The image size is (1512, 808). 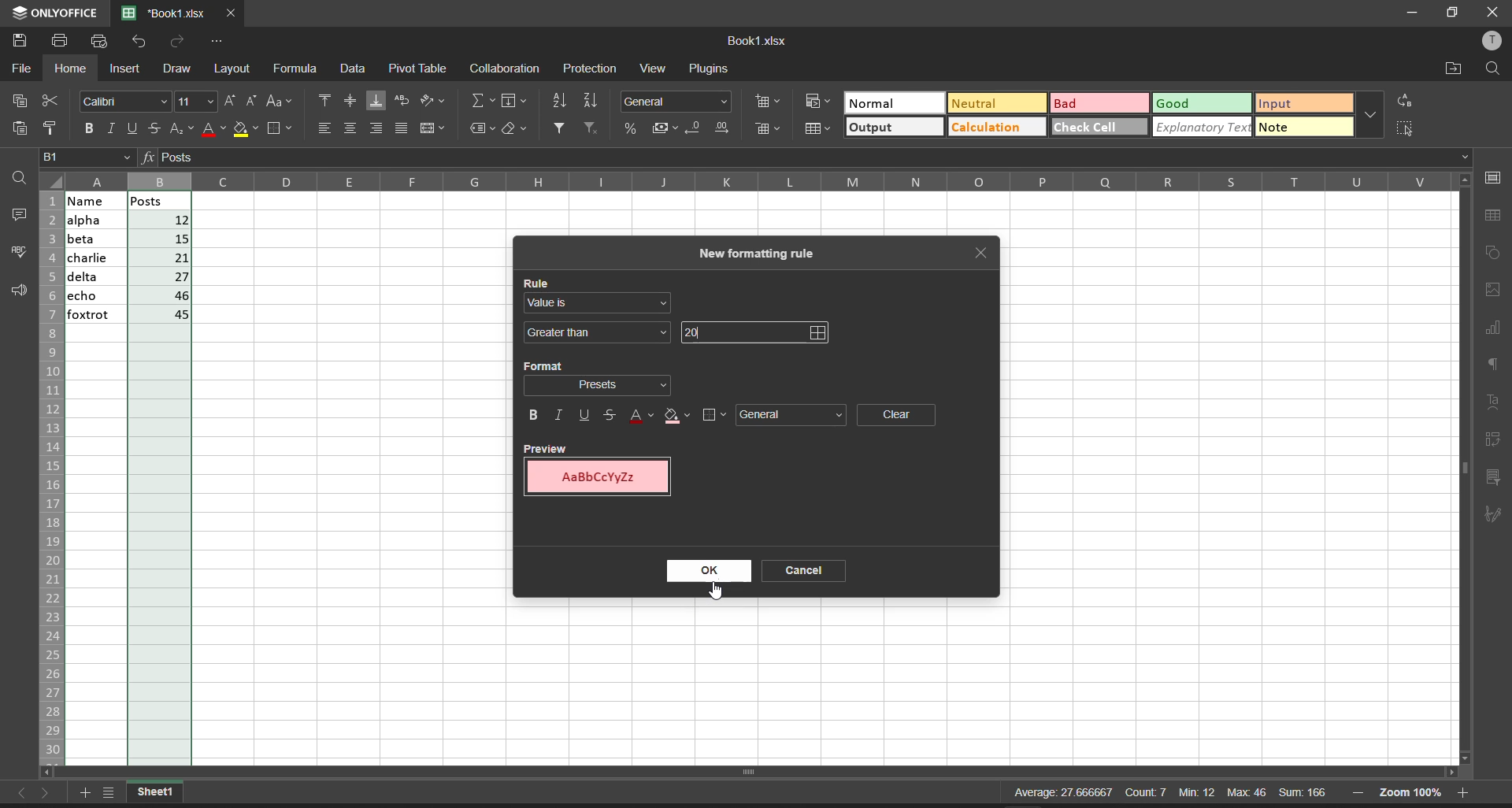 I want to click on zoom in, so click(x=1466, y=791).